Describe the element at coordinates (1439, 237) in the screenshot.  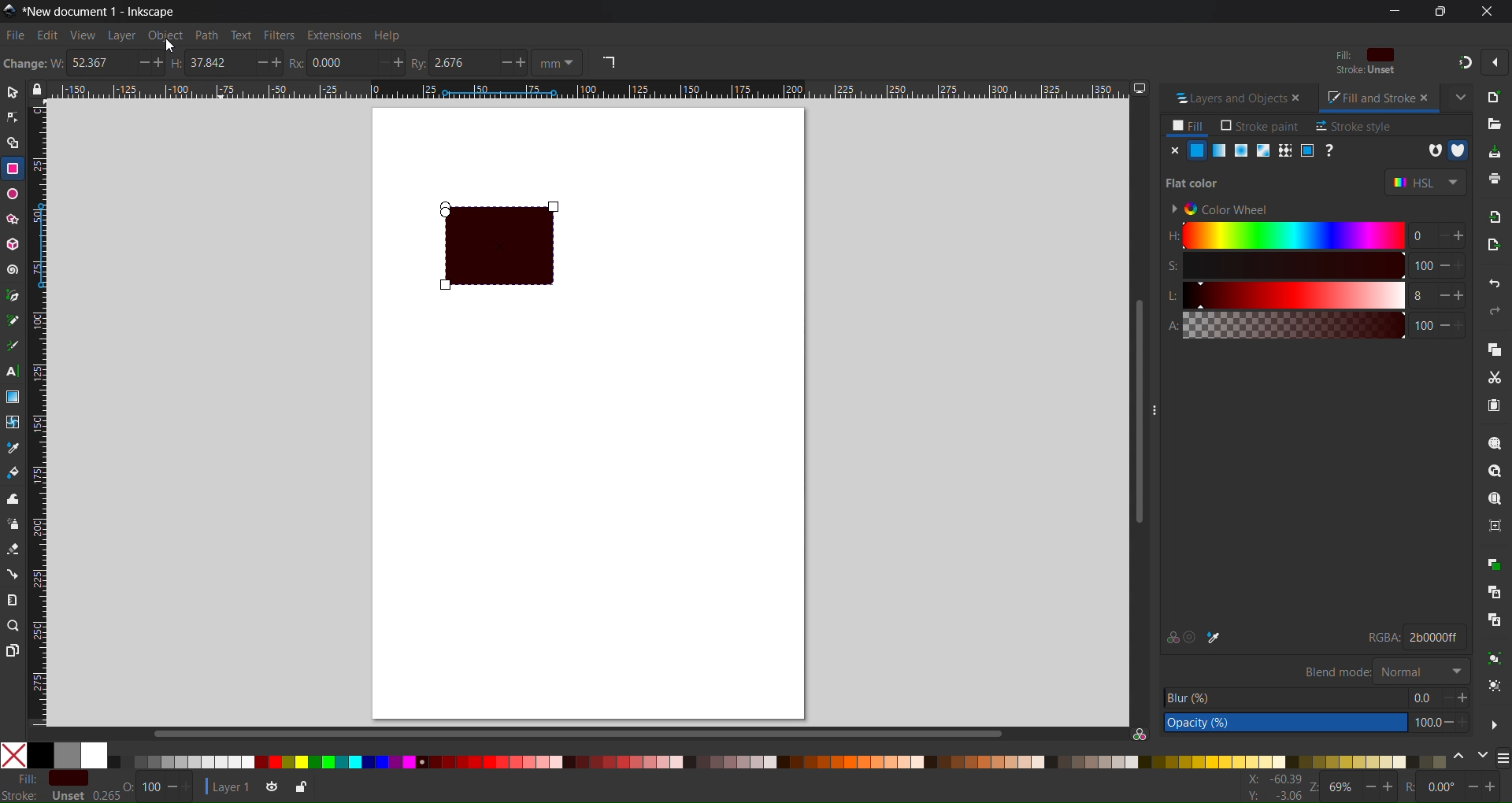
I see `increase hue` at that location.